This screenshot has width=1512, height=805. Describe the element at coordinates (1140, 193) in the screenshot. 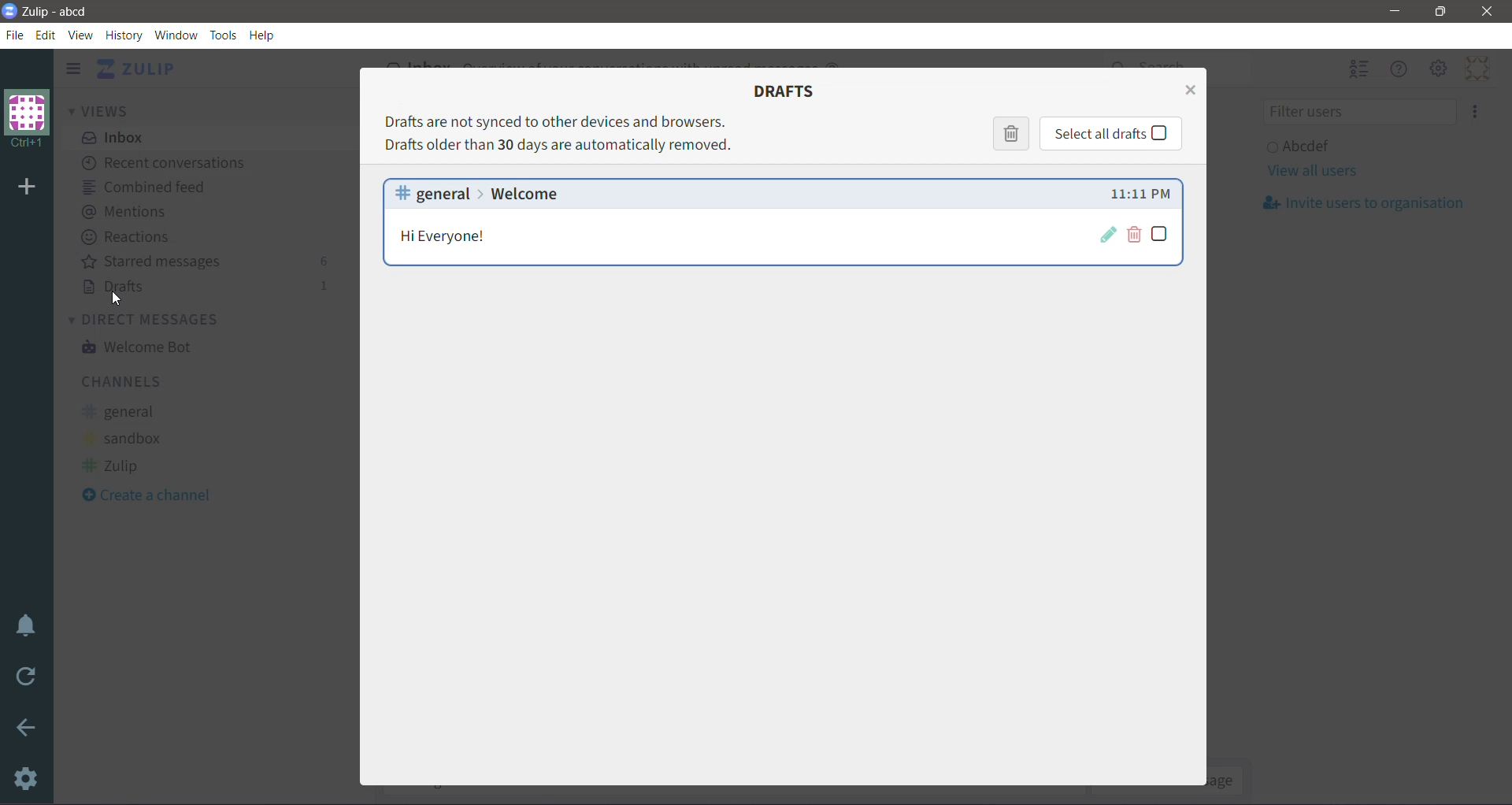

I see `Draft compose time` at that location.